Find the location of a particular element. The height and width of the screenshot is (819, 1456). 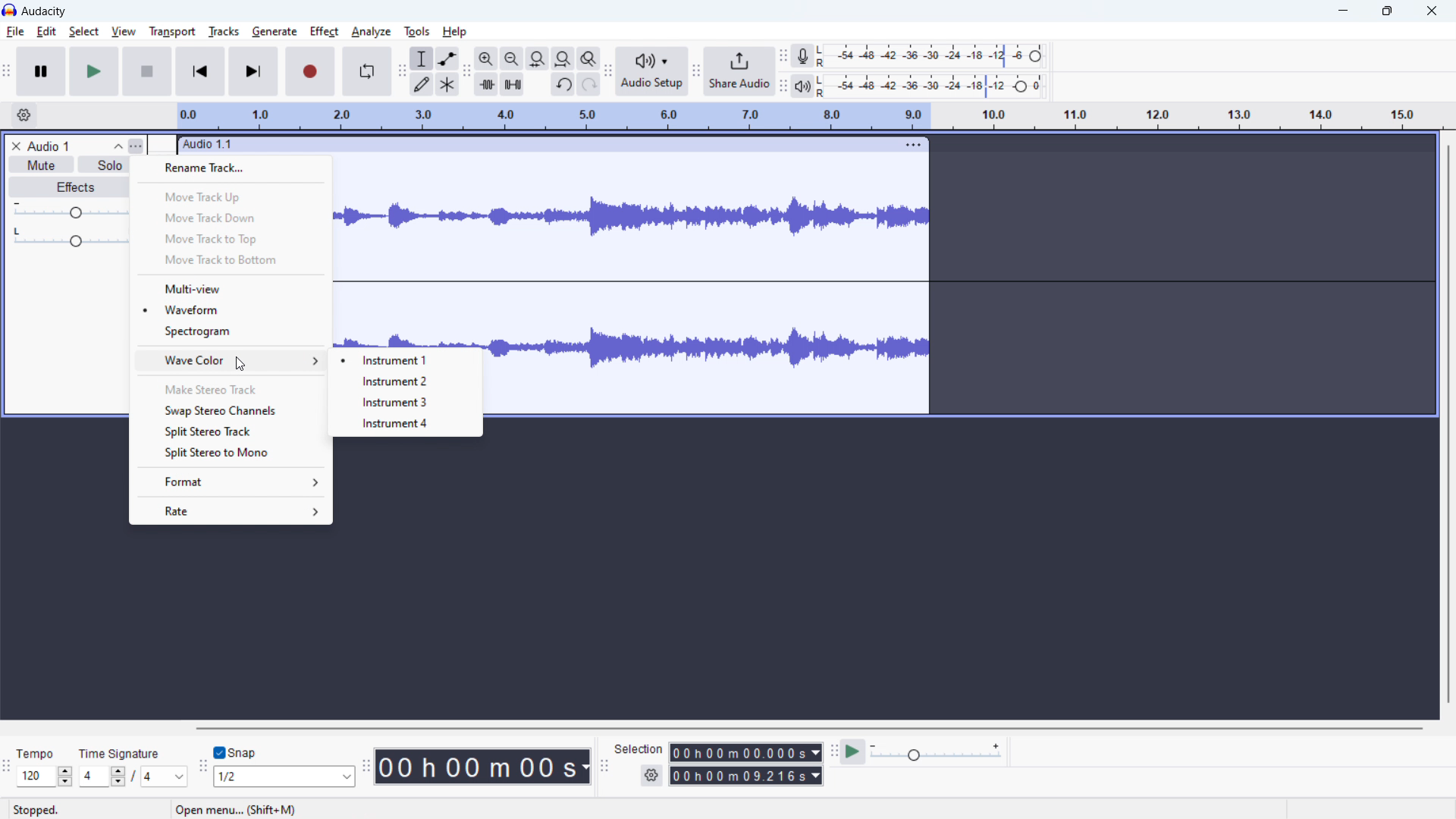

swap stereo channels is located at coordinates (229, 411).